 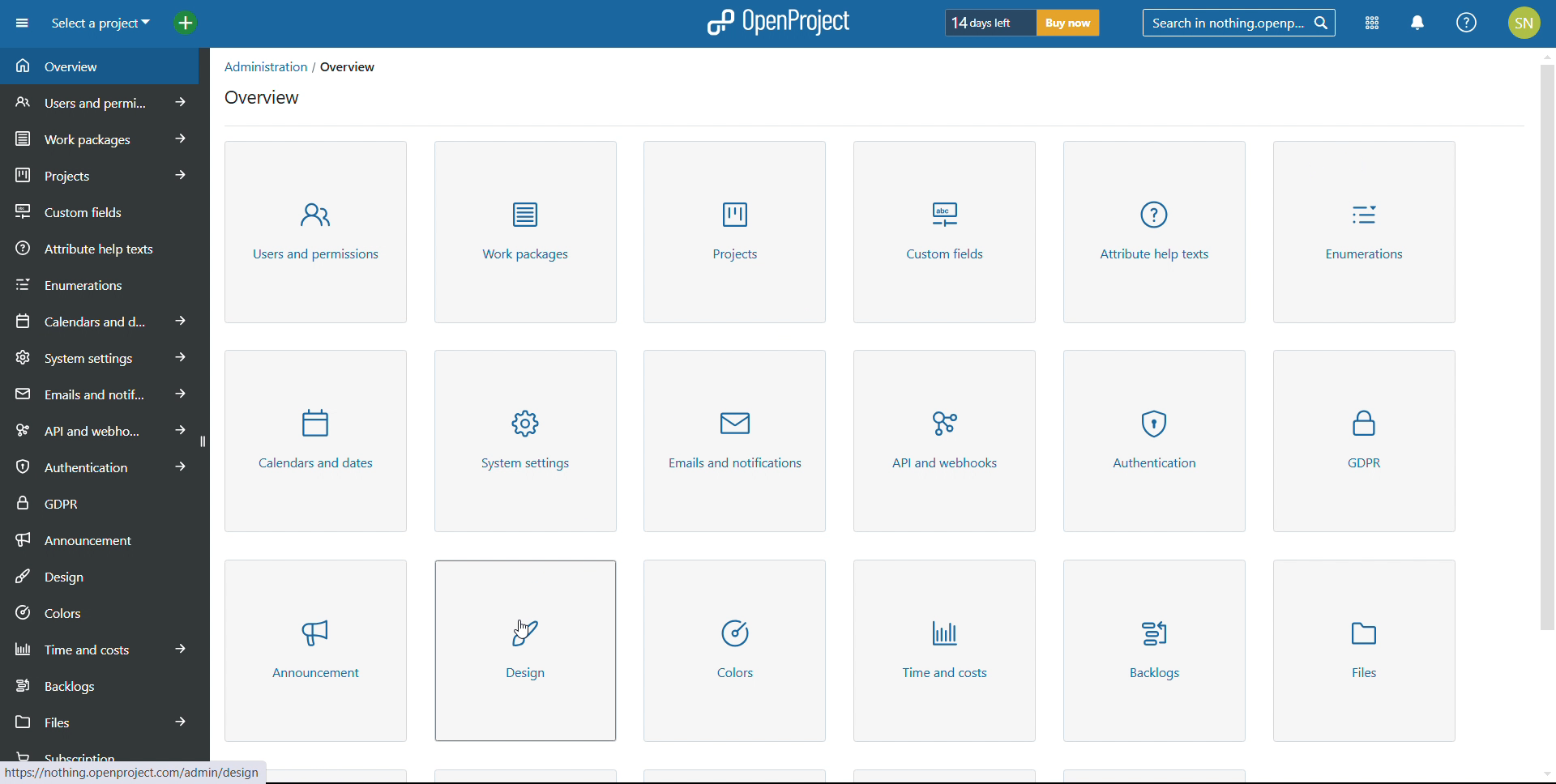 What do you see at coordinates (1364, 651) in the screenshot?
I see `backlogs` at bounding box center [1364, 651].